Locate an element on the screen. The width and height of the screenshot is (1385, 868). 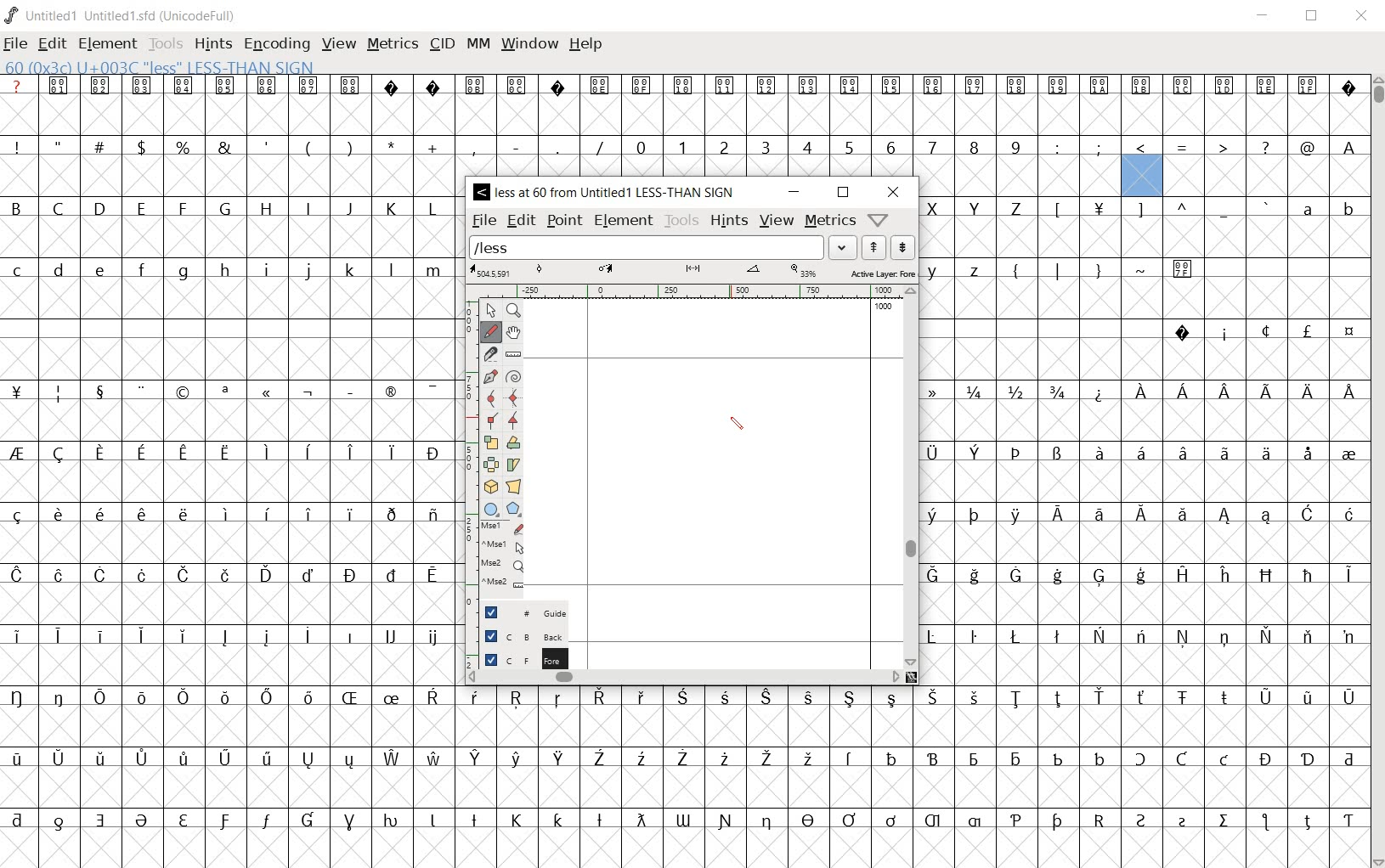
special letters is located at coordinates (231, 575).